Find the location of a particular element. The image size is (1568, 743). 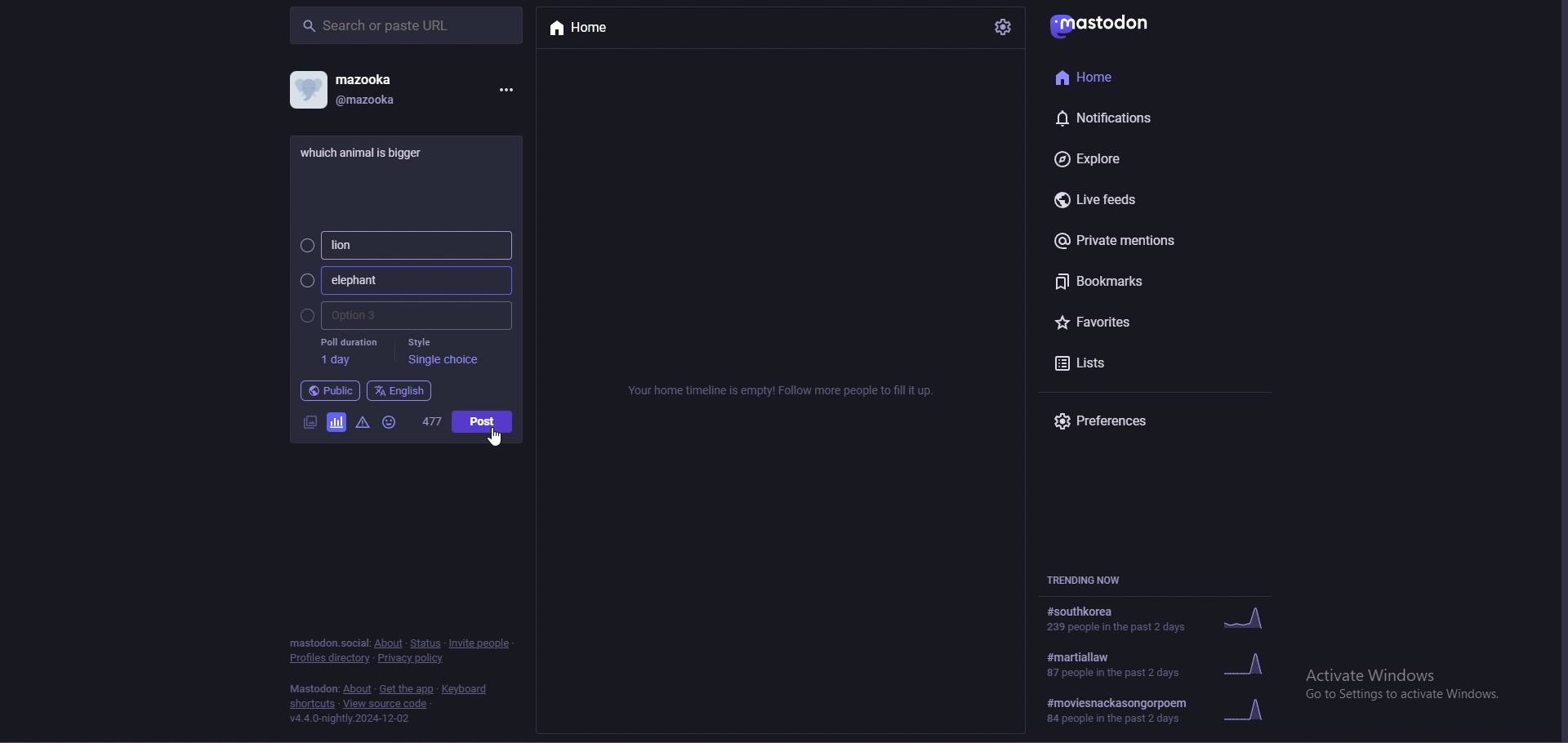

option 3 is located at coordinates (403, 316).